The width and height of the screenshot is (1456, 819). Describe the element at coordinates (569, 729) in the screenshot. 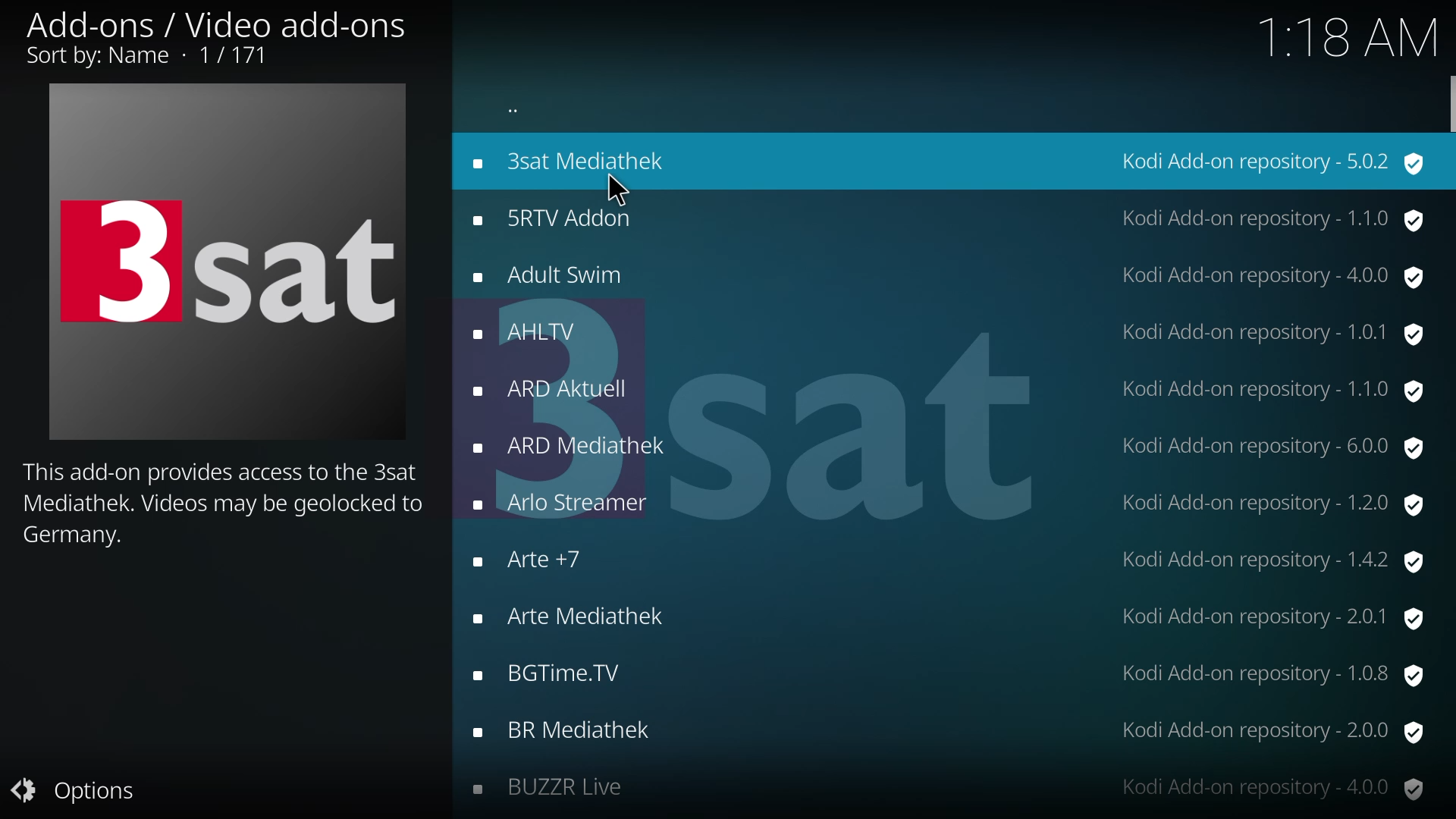

I see `add-ons` at that location.